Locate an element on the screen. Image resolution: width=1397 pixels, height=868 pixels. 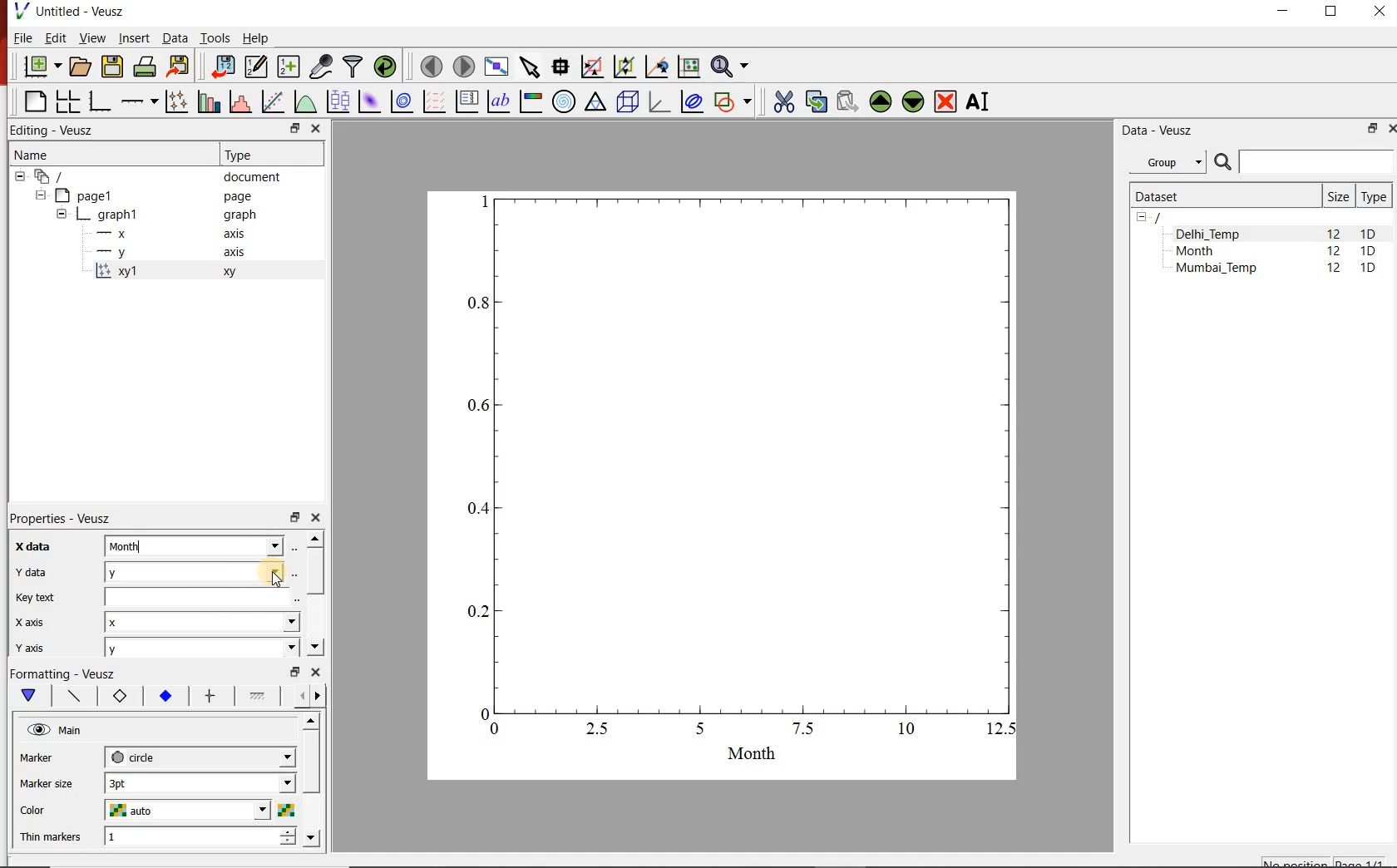
export to graphics format is located at coordinates (180, 67).